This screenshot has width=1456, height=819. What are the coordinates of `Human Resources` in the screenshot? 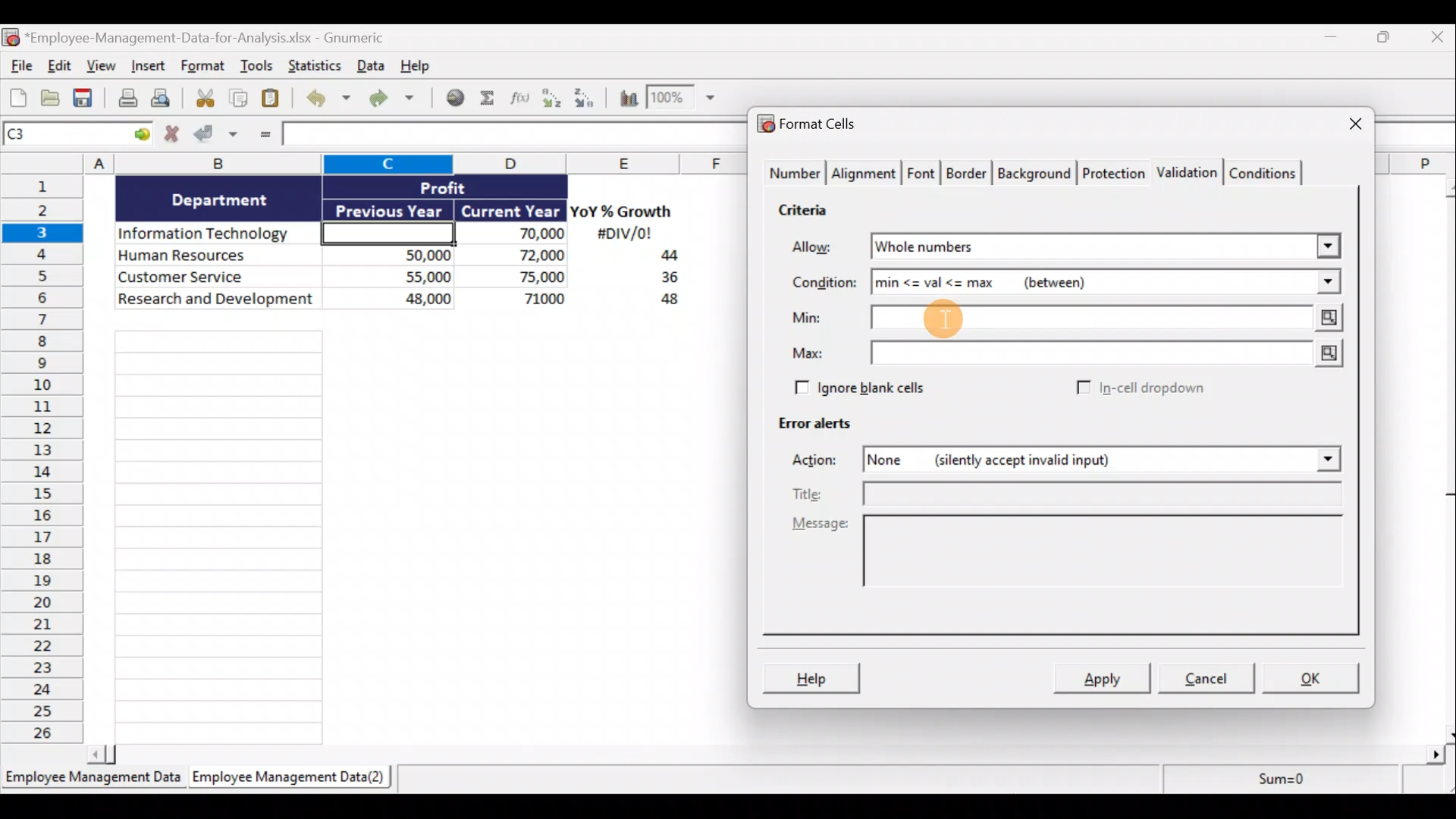 It's located at (215, 256).